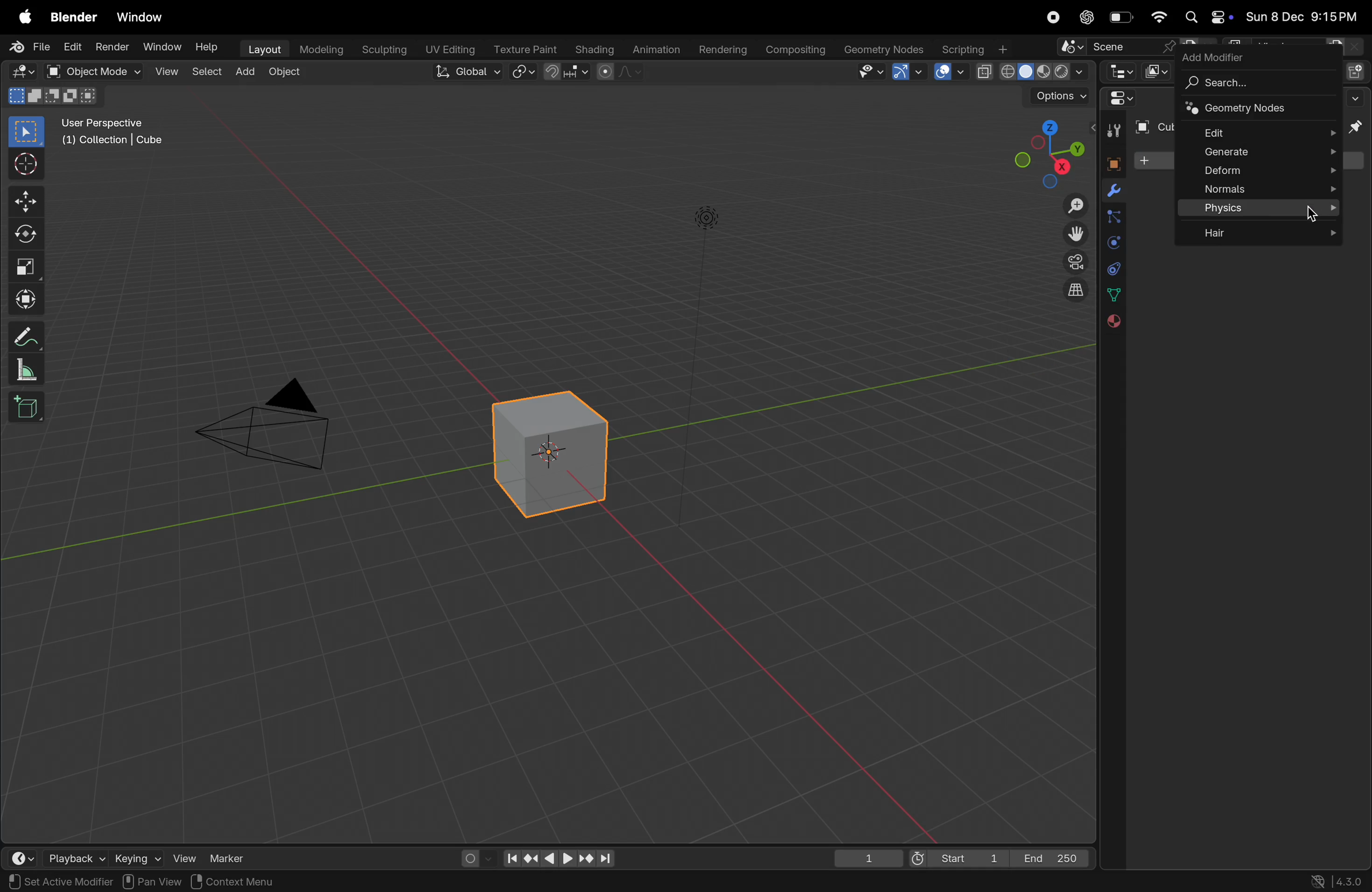  I want to click on end 250, so click(1053, 856).